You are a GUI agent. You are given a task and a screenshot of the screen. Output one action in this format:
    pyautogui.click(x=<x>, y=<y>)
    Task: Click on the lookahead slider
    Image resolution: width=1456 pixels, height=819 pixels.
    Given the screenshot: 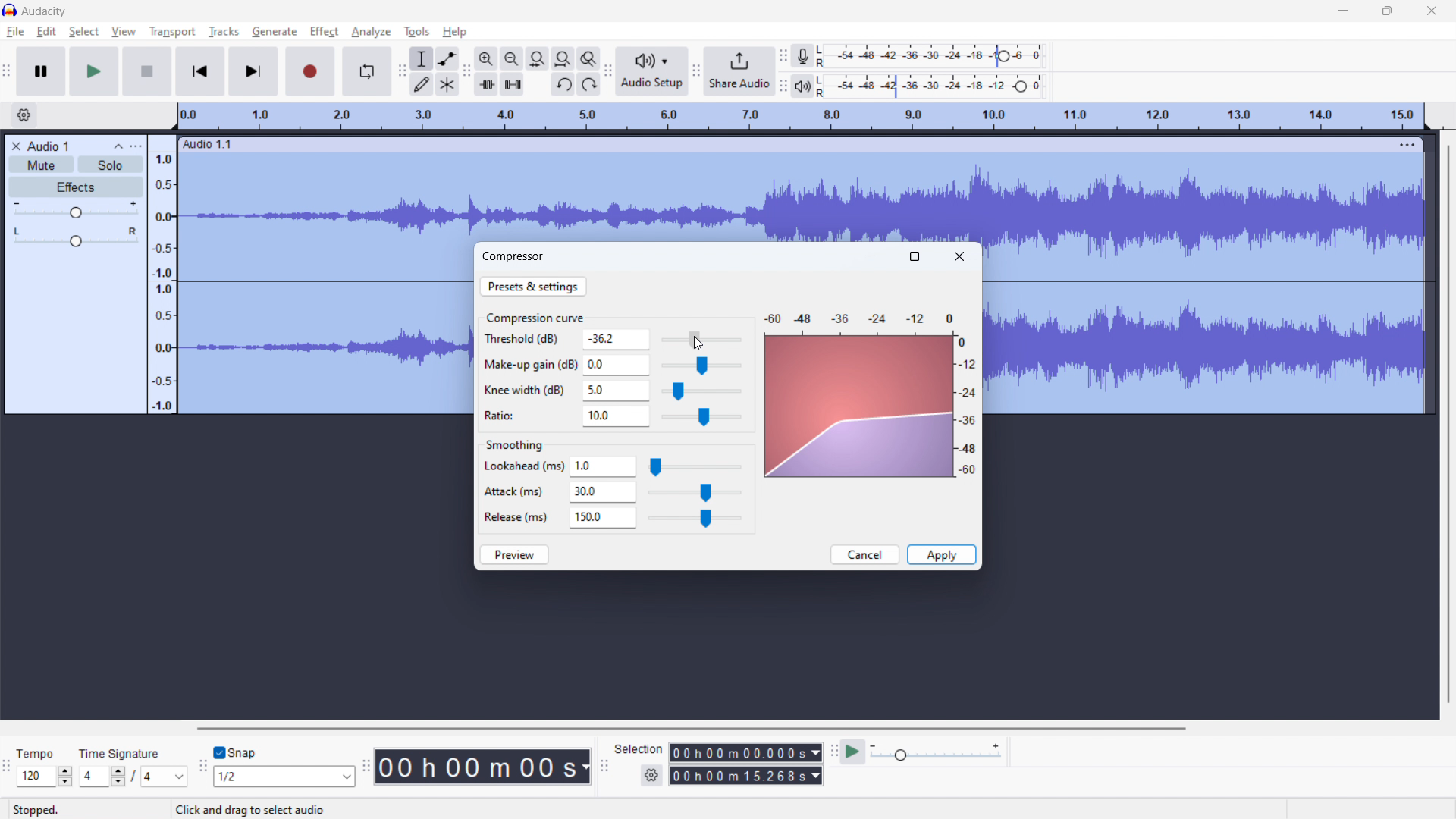 What is the action you would take?
    pyautogui.click(x=695, y=468)
    